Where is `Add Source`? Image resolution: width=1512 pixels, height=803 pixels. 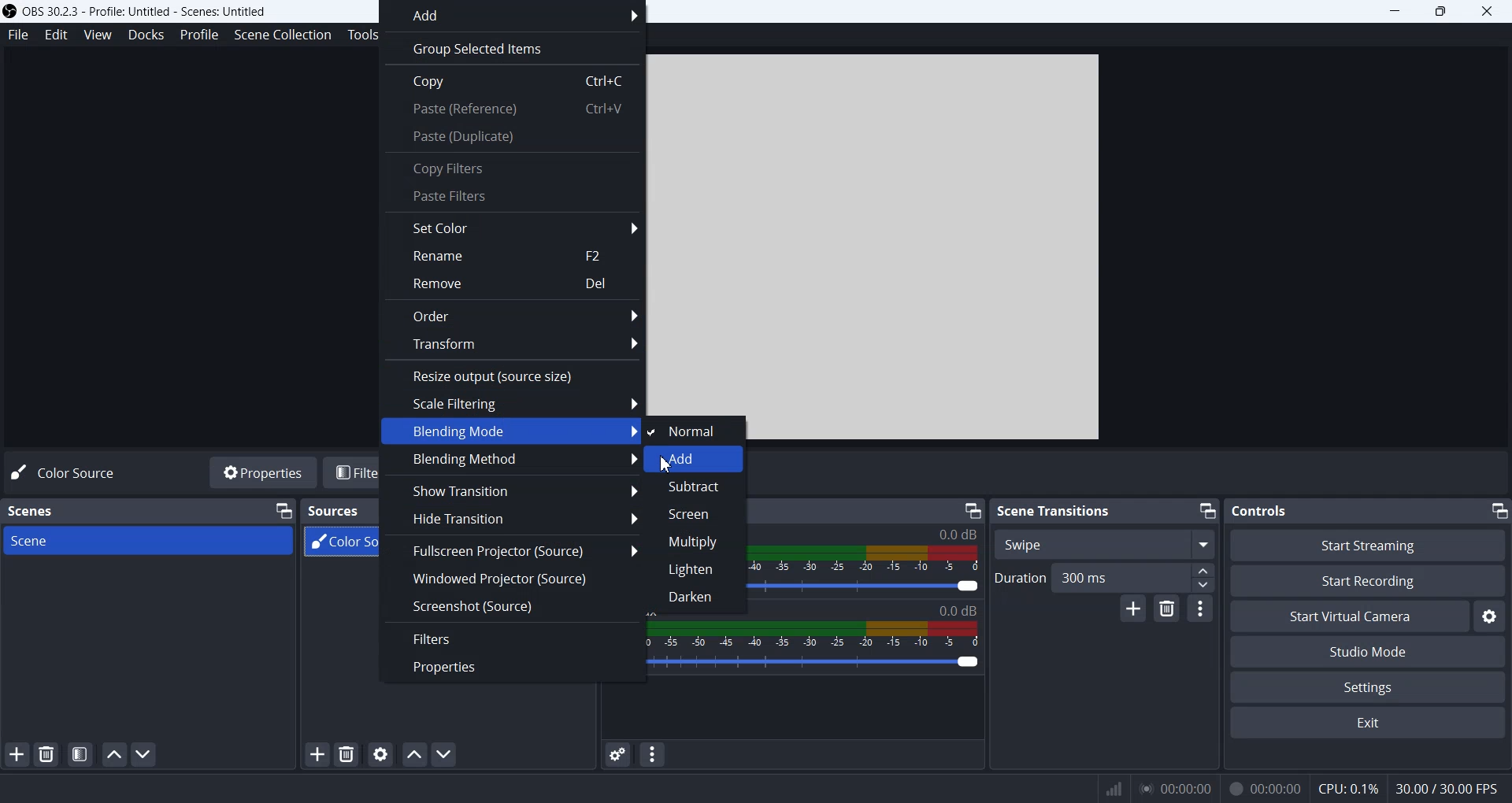 Add Source is located at coordinates (317, 756).